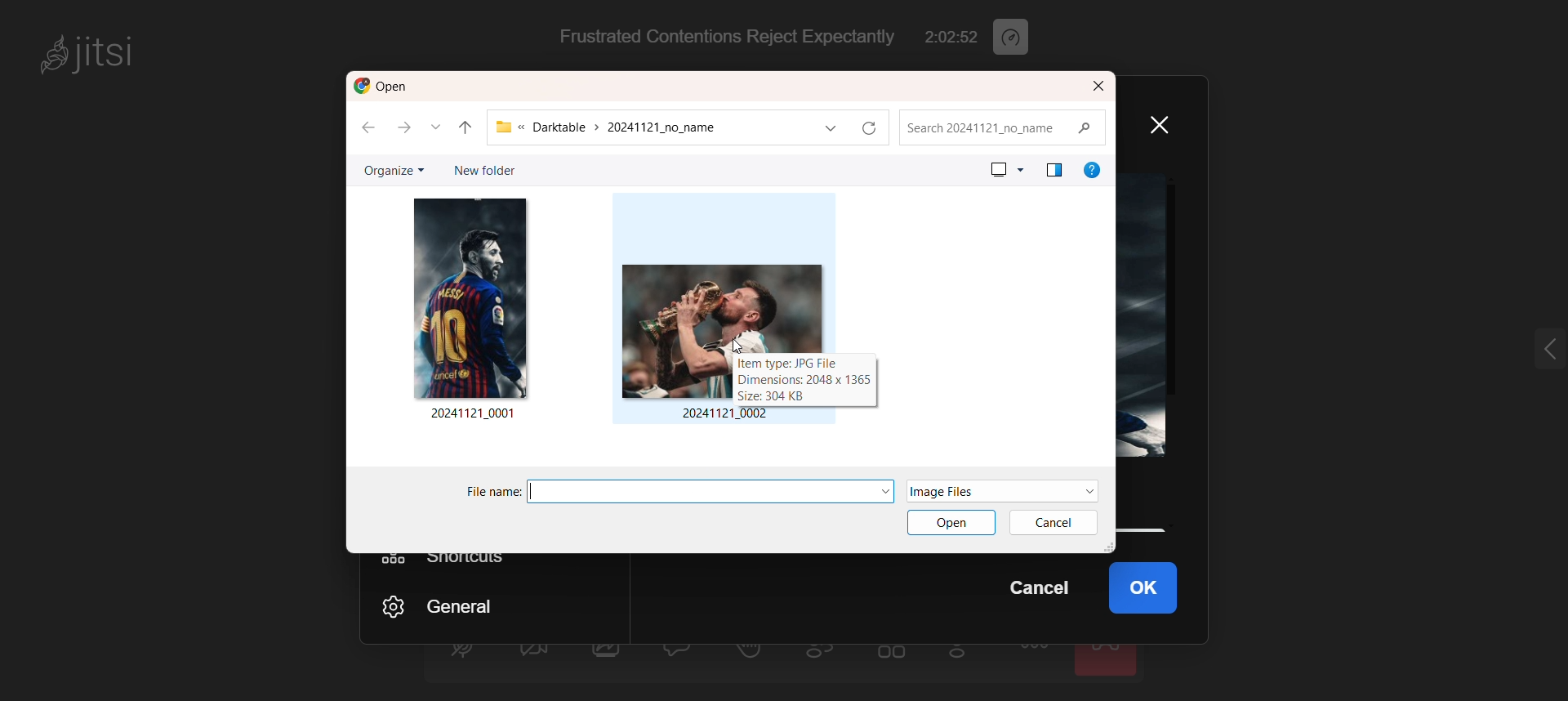 This screenshot has height=701, width=1568. I want to click on toggle view, so click(893, 658).